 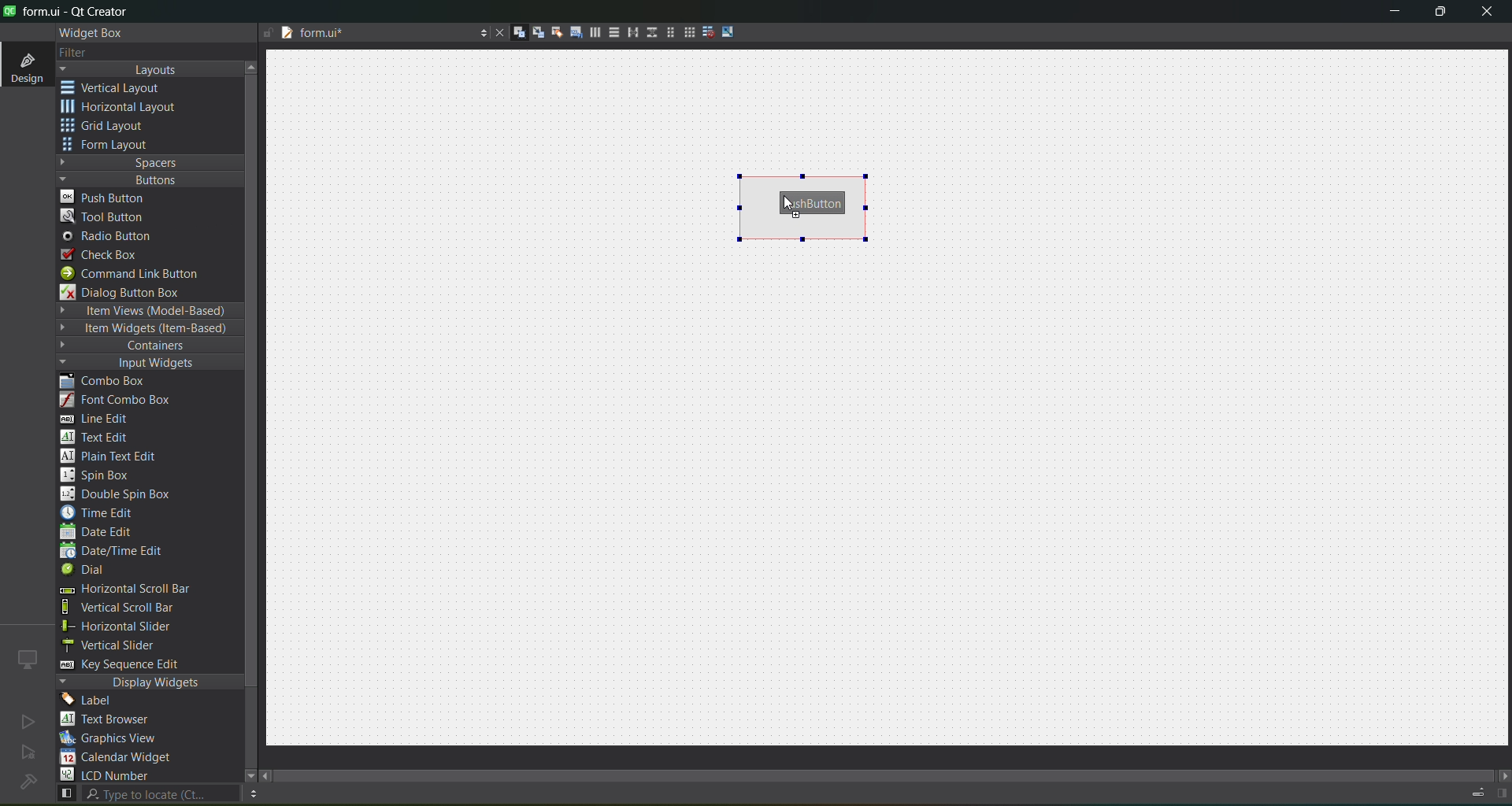 What do you see at coordinates (100, 533) in the screenshot?
I see `date edit` at bounding box center [100, 533].